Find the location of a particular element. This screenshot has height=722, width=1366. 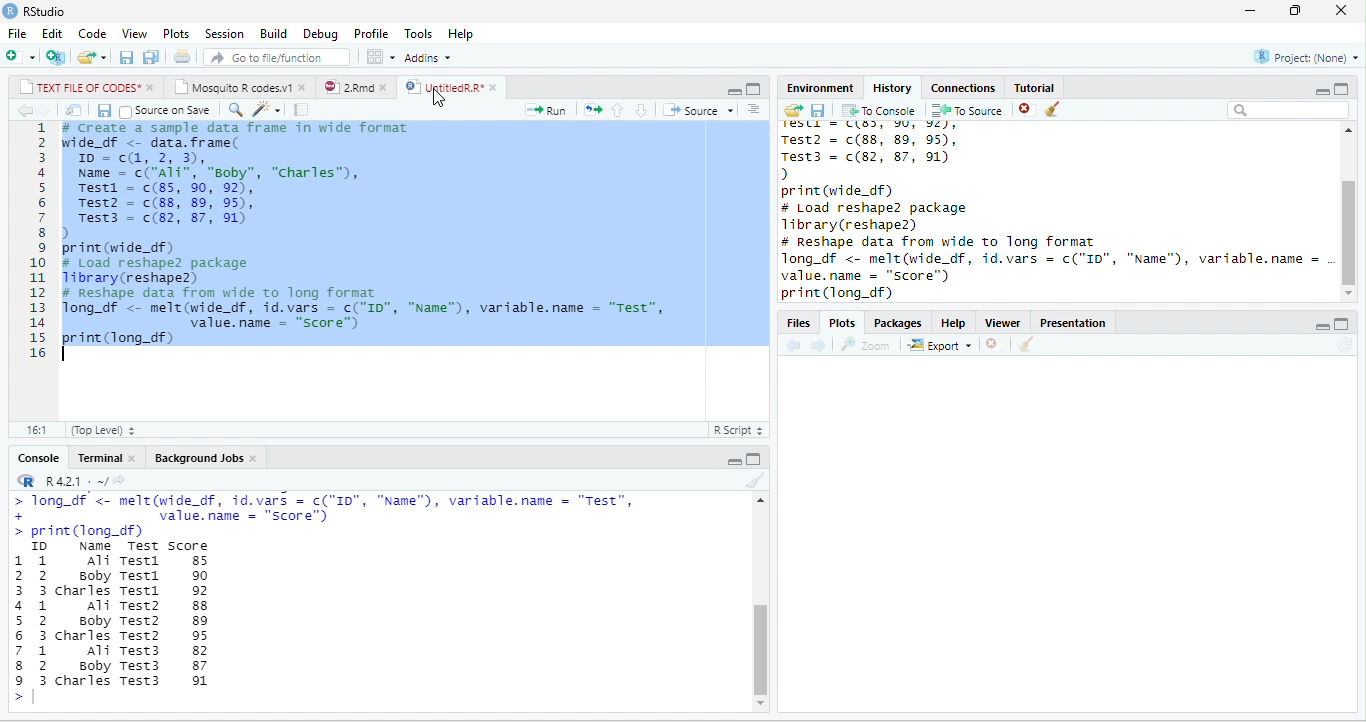

close is located at coordinates (134, 458).